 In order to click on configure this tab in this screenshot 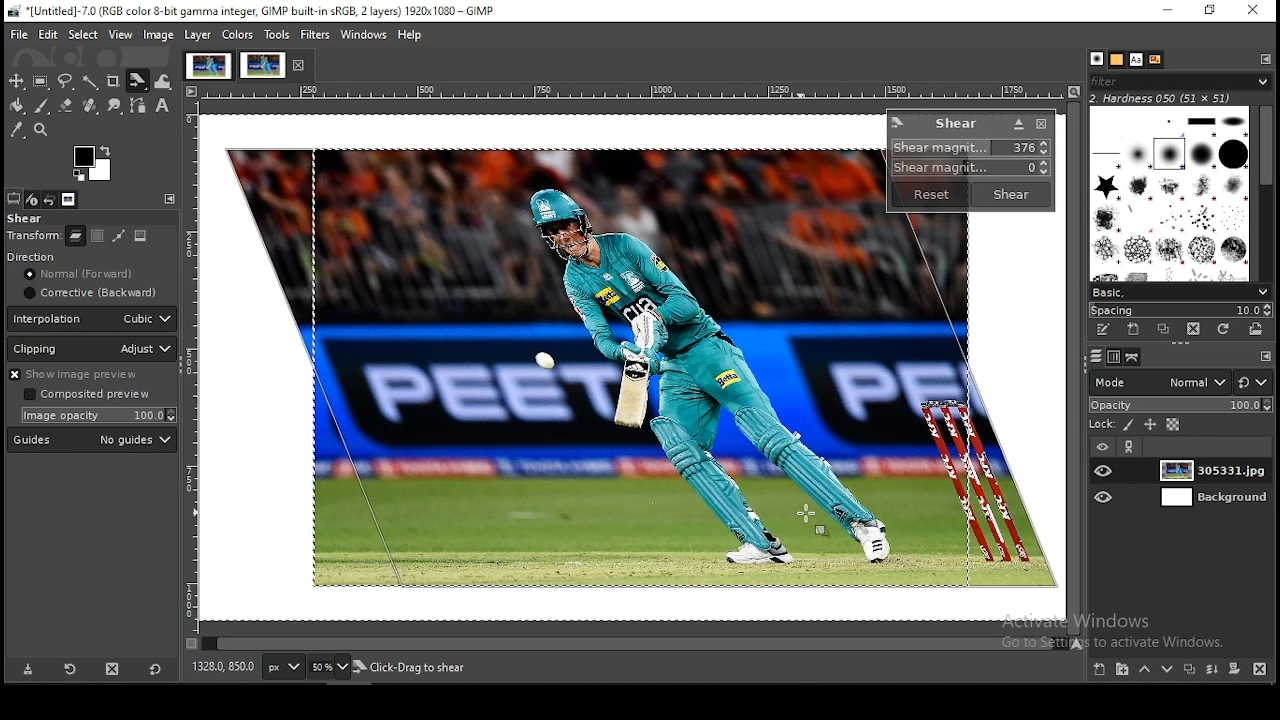, I will do `click(169, 199)`.